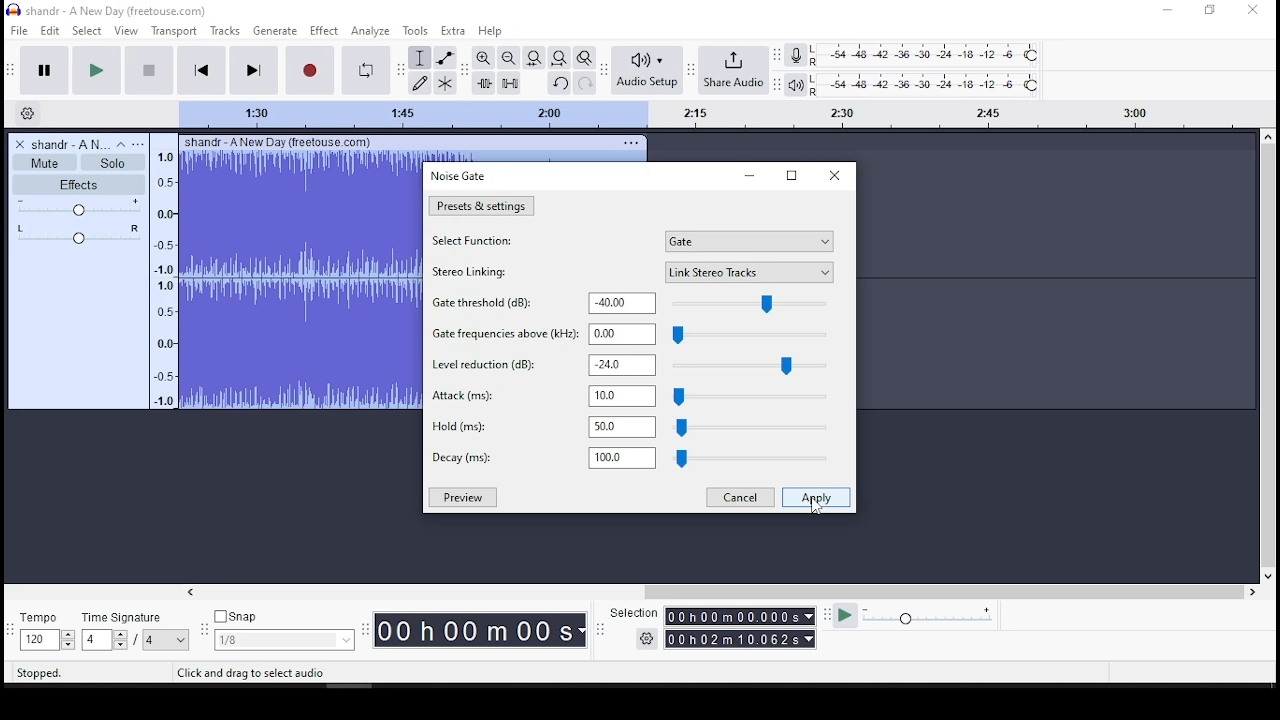 This screenshot has height=720, width=1280. I want to click on file, so click(18, 30).